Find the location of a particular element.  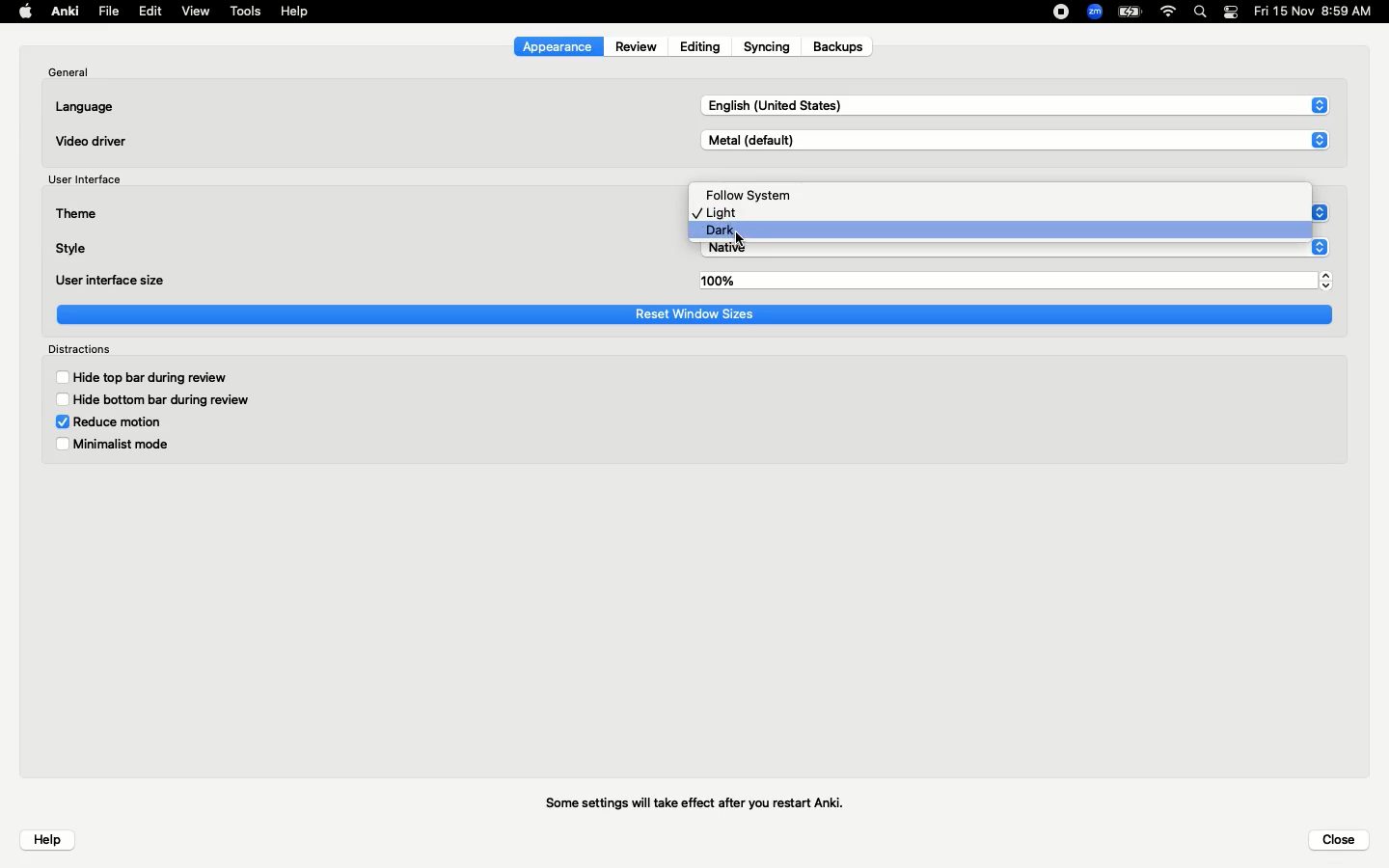

cursor is located at coordinates (741, 237).